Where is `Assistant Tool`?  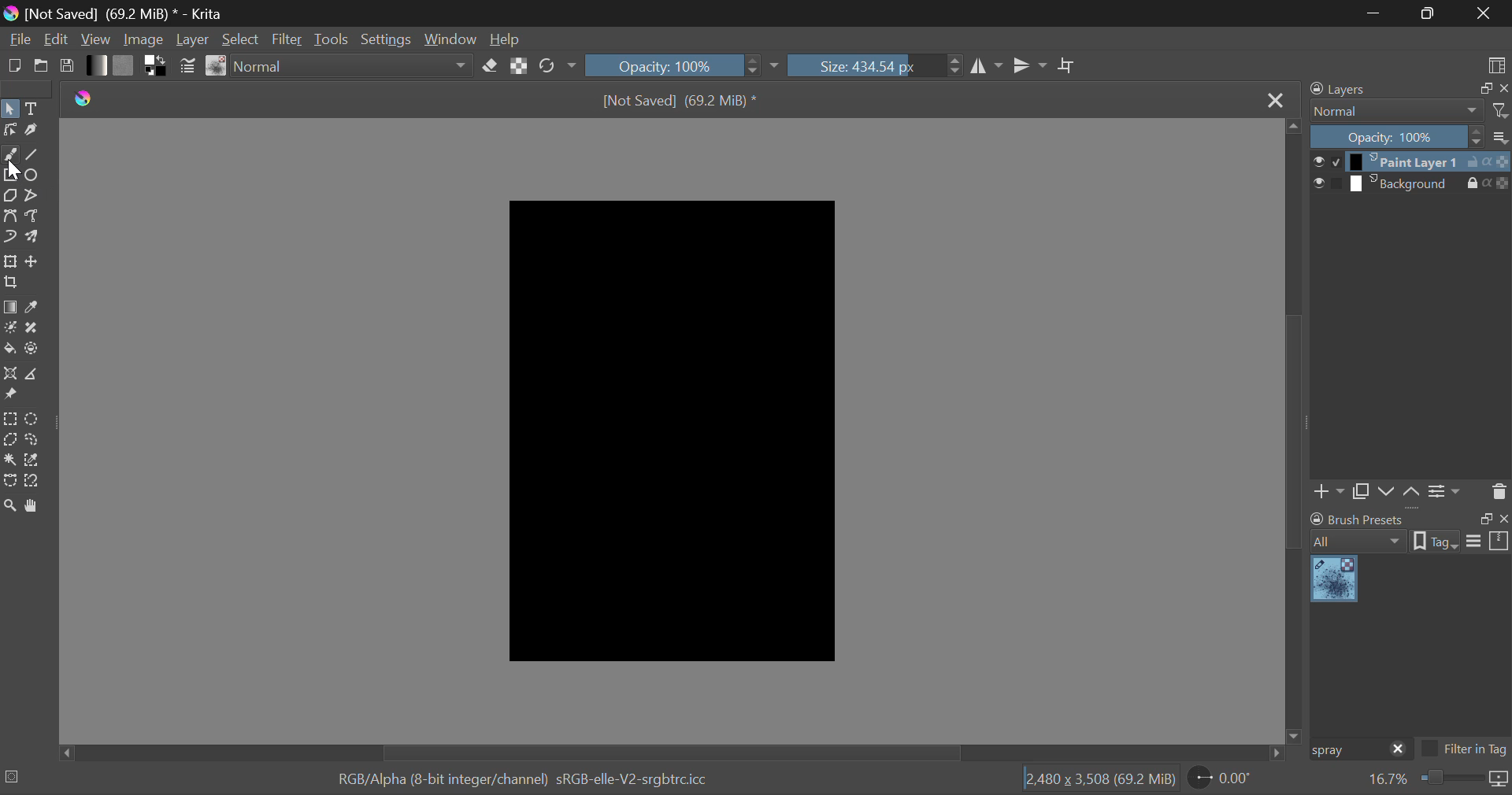 Assistant Tool is located at coordinates (9, 374).